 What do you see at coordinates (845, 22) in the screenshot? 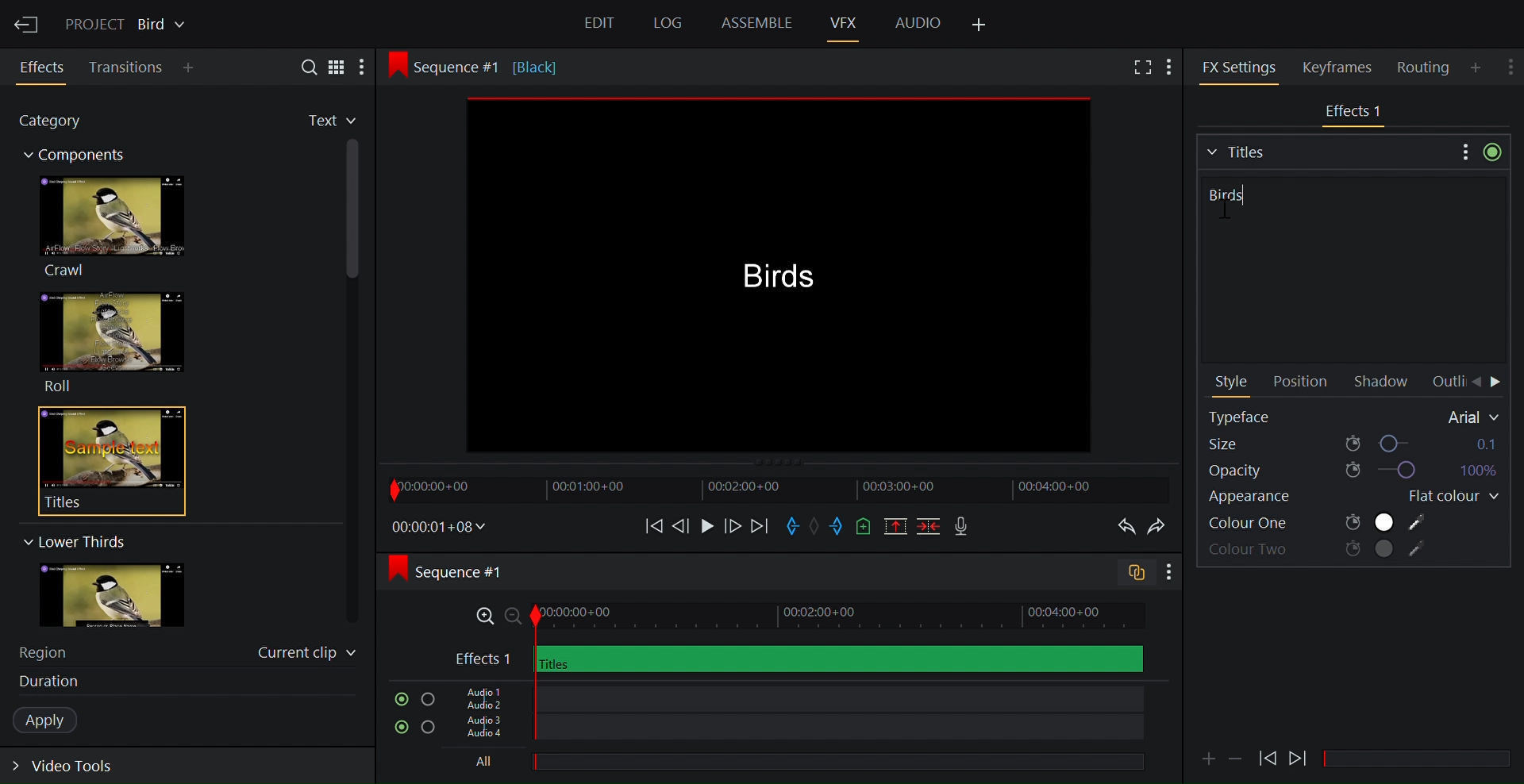
I see `VFX` at bounding box center [845, 22].